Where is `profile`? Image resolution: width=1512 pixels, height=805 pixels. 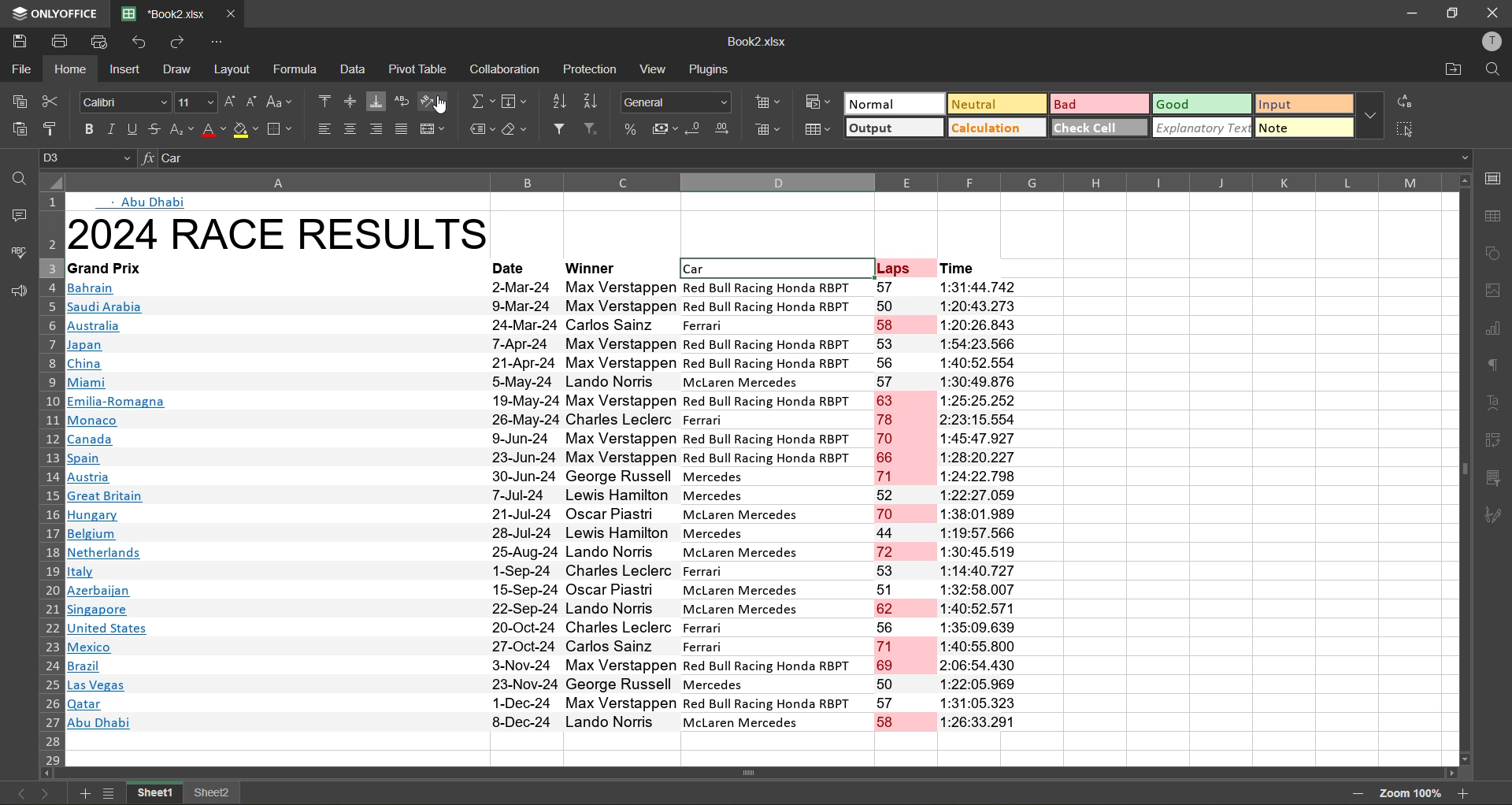
profile is located at coordinates (1492, 43).